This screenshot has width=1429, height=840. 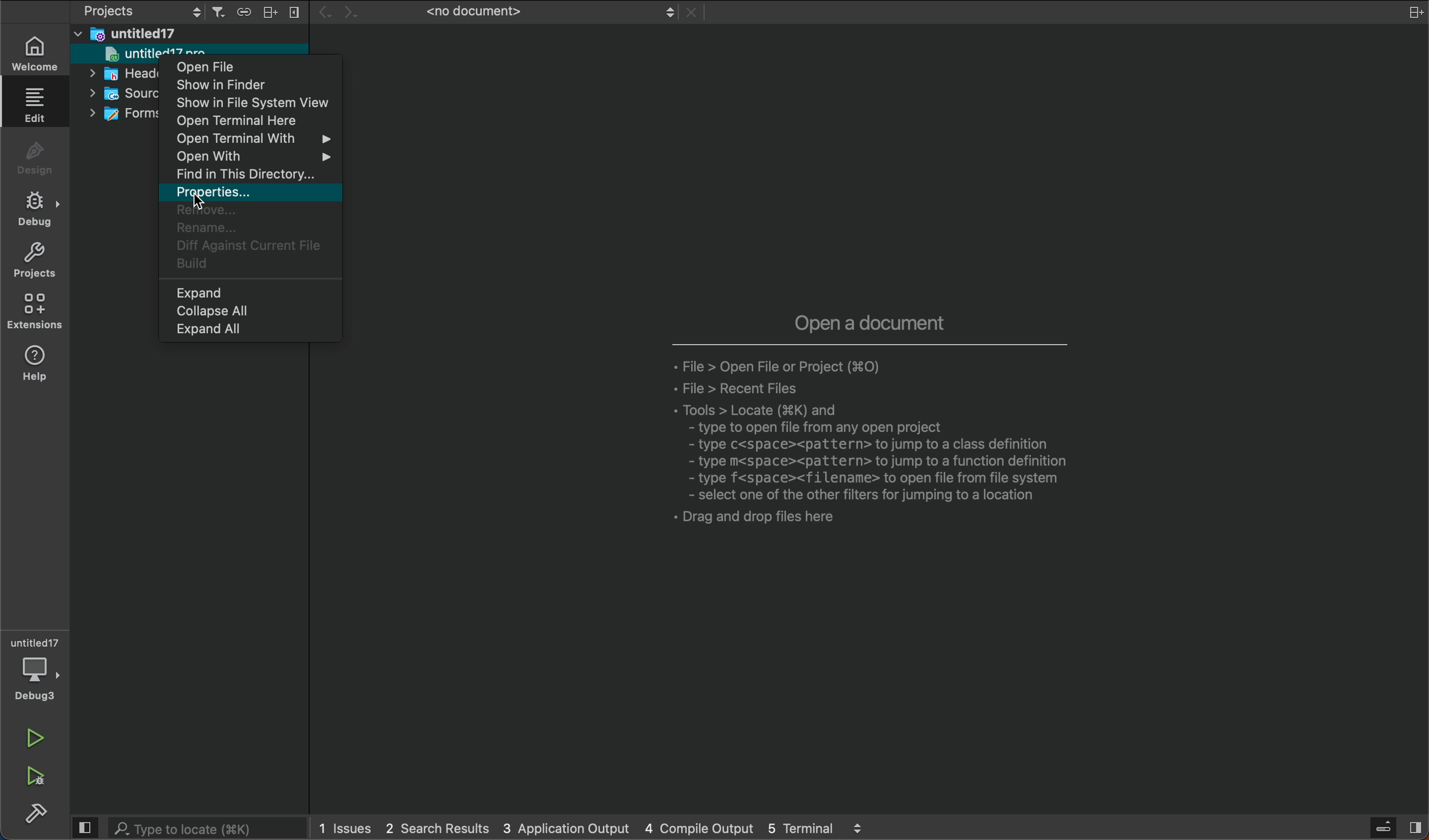 I want to click on cursor, so click(x=206, y=196).